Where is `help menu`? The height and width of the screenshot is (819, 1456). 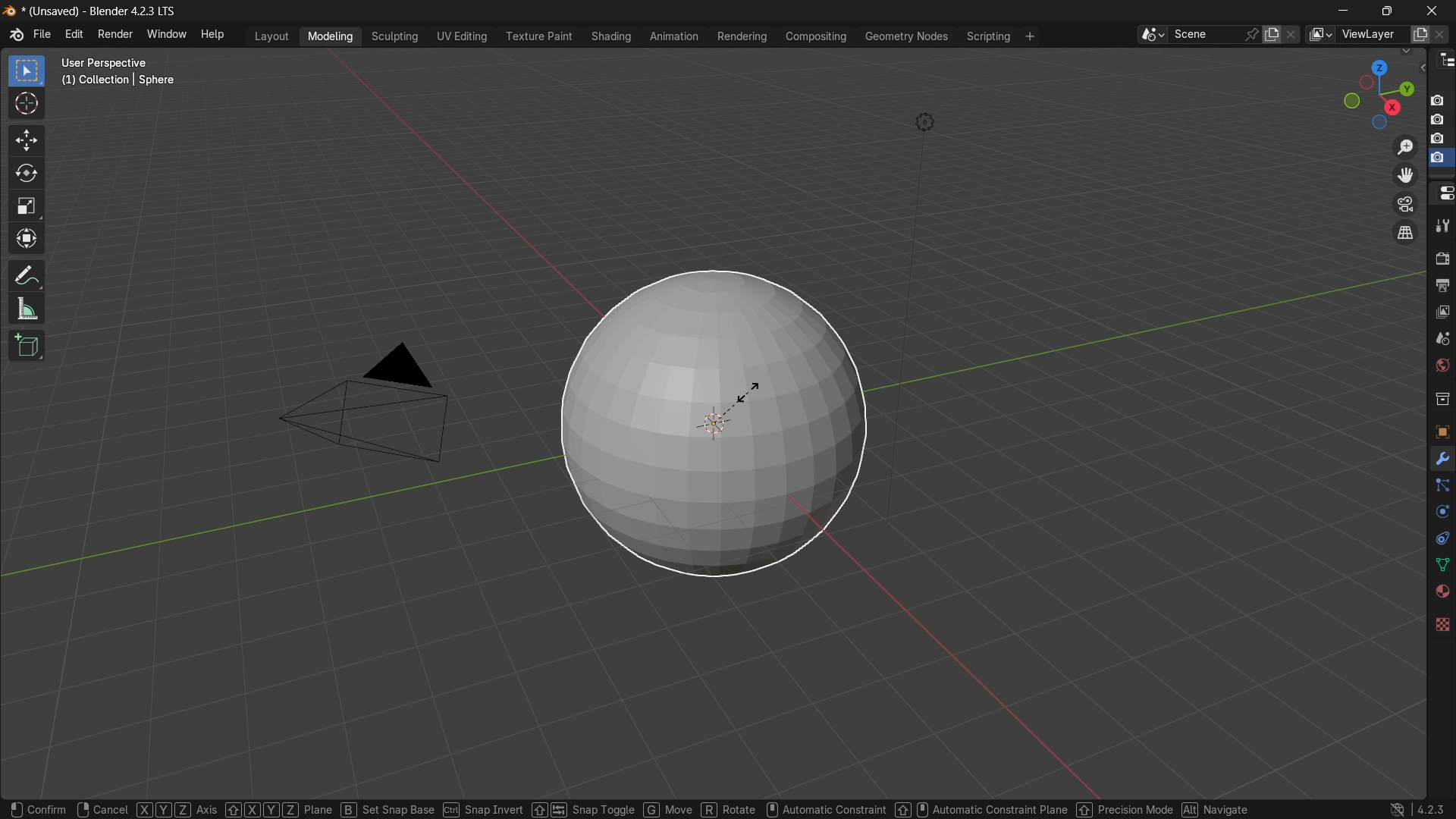 help menu is located at coordinates (215, 36).